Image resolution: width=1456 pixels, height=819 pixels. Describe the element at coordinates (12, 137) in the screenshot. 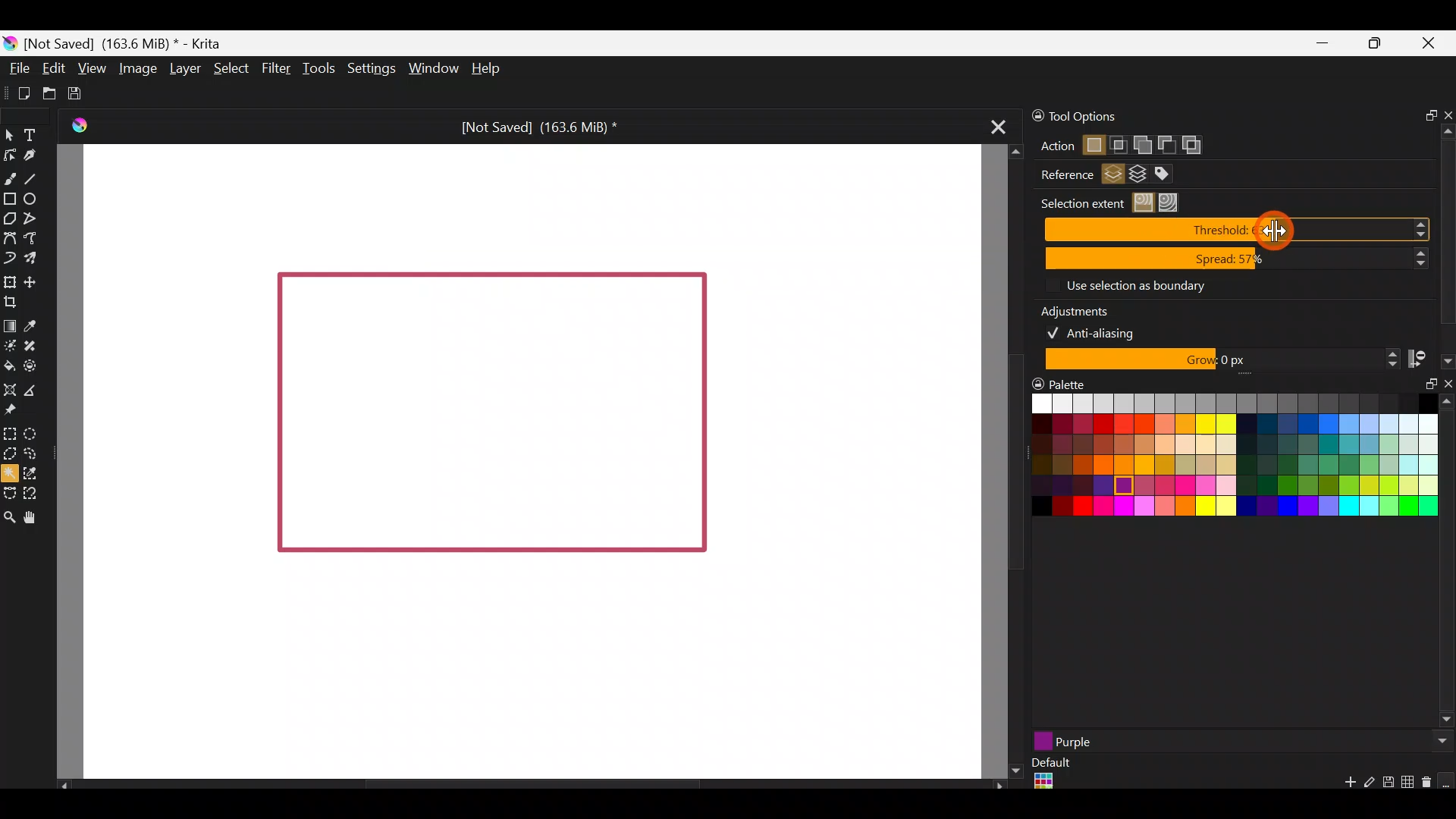

I see `Select shapes tool` at that location.